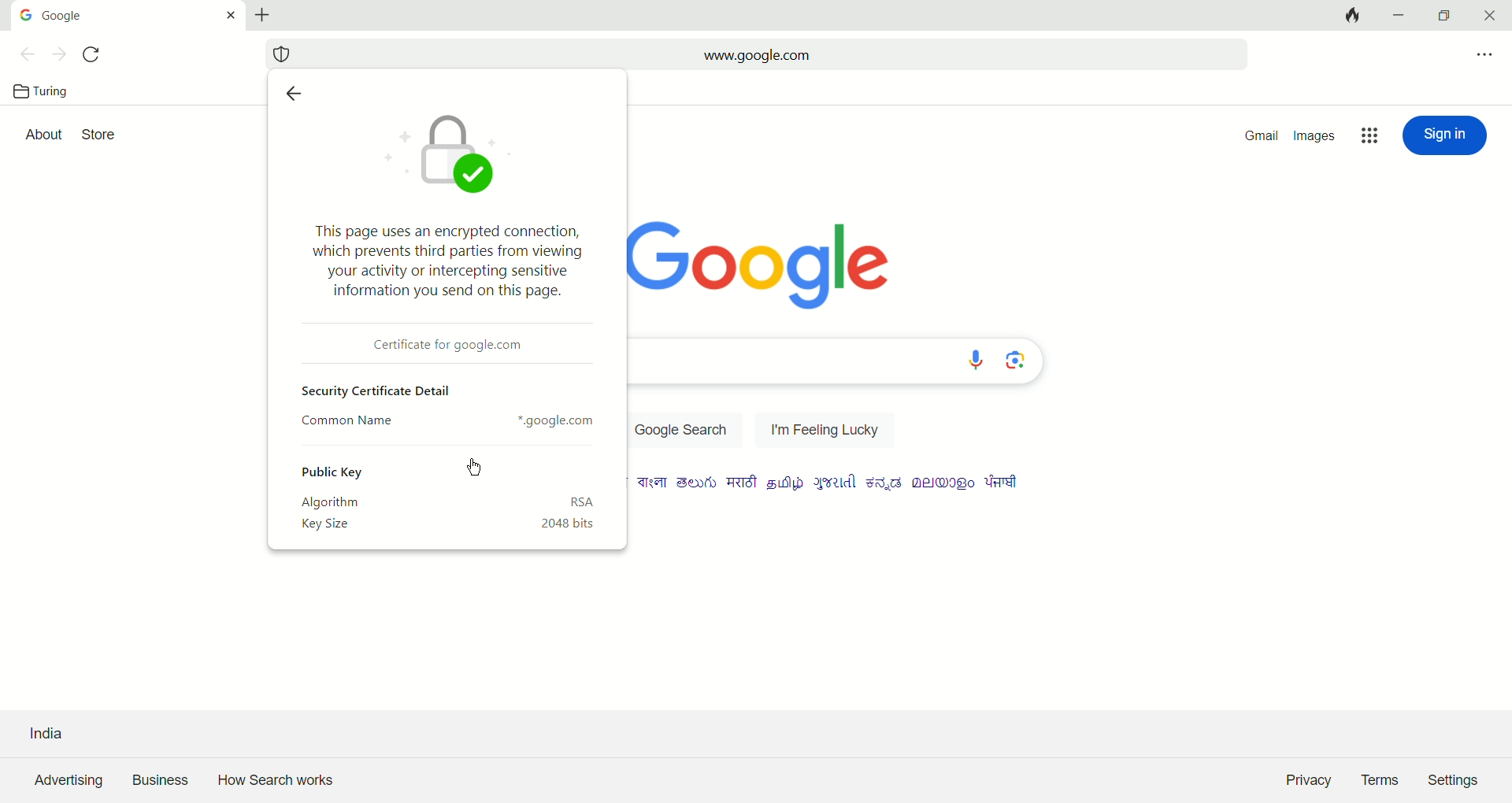  I want to click on Security certificate detail , so click(450, 390).